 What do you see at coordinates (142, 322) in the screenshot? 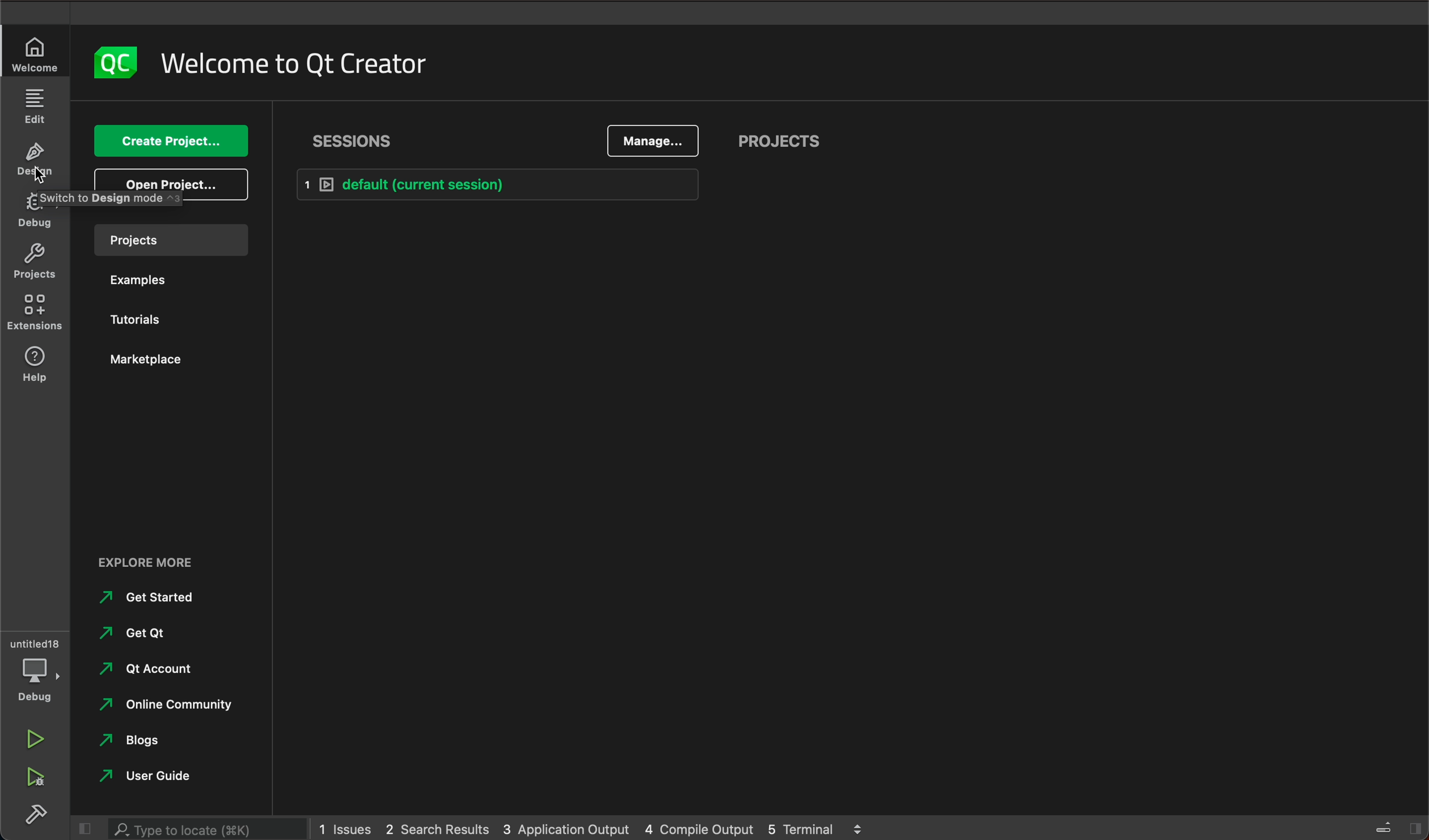
I see `tutorials` at bounding box center [142, 322].